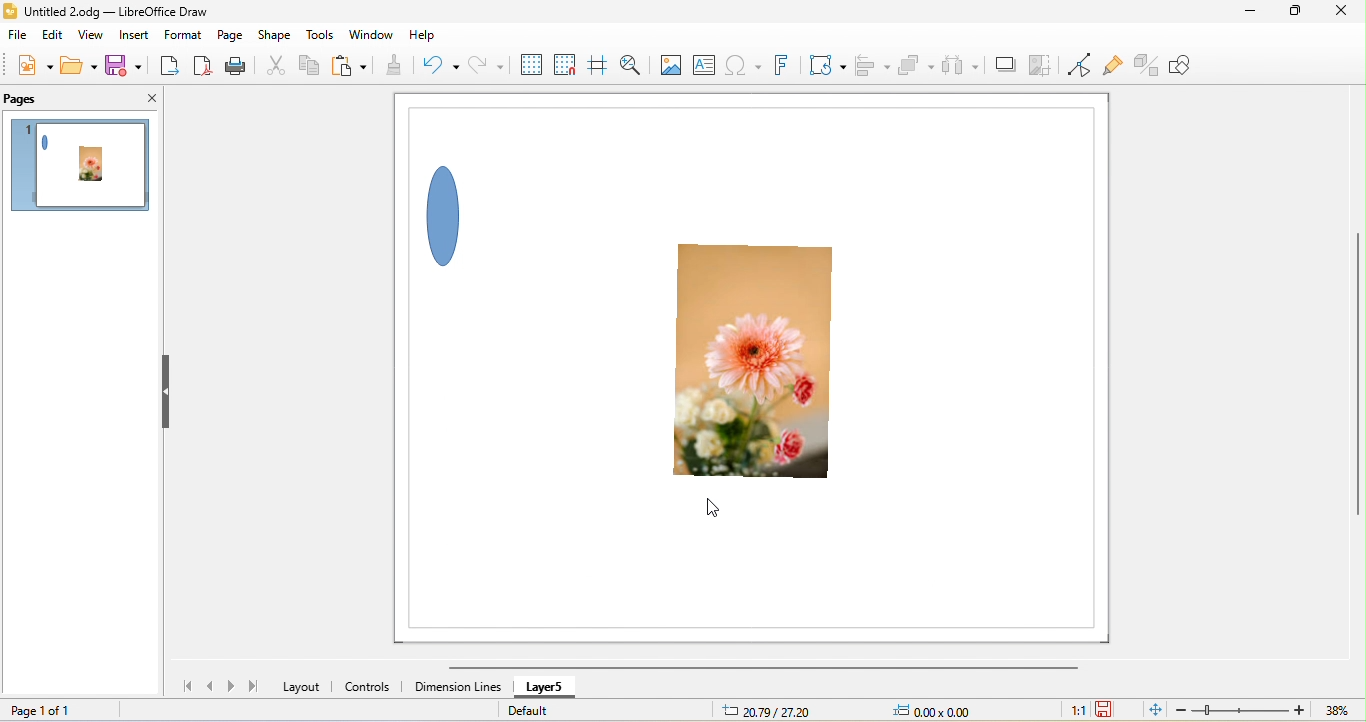 Image resolution: width=1366 pixels, height=722 pixels. What do you see at coordinates (76, 65) in the screenshot?
I see `open` at bounding box center [76, 65].